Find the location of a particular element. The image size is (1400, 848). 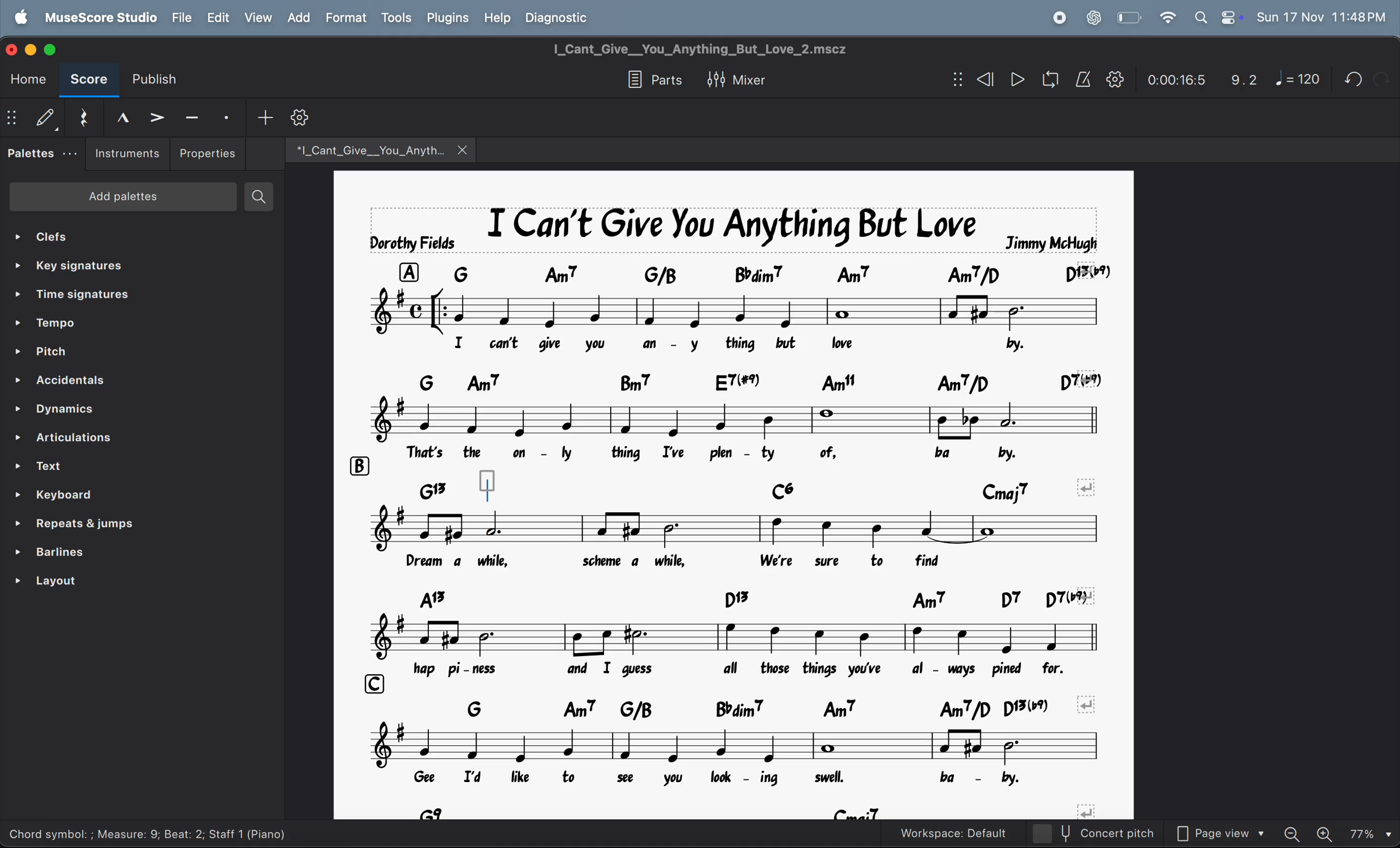

diagnostic is located at coordinates (564, 19).